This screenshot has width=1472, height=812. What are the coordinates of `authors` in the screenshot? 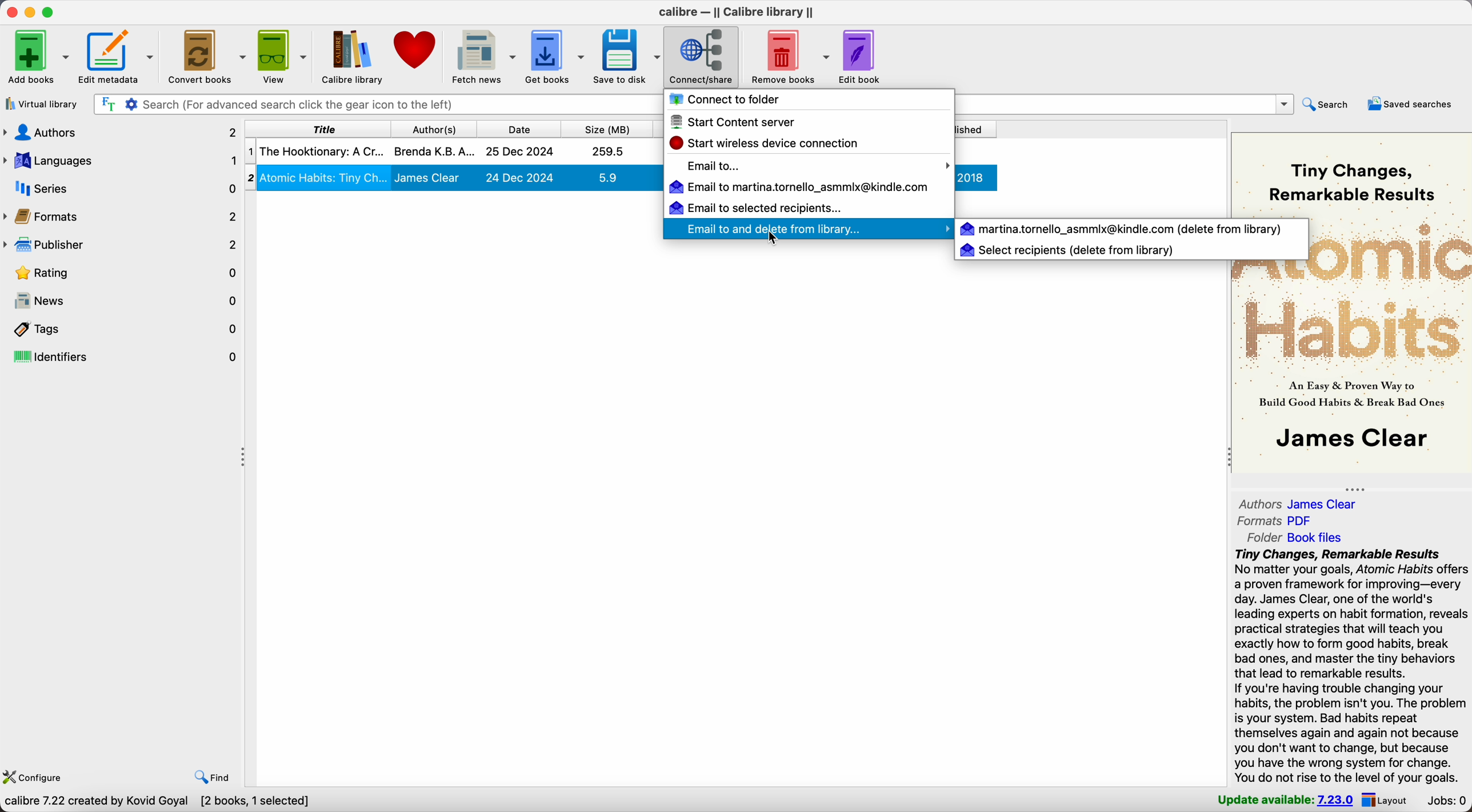 It's located at (121, 135).